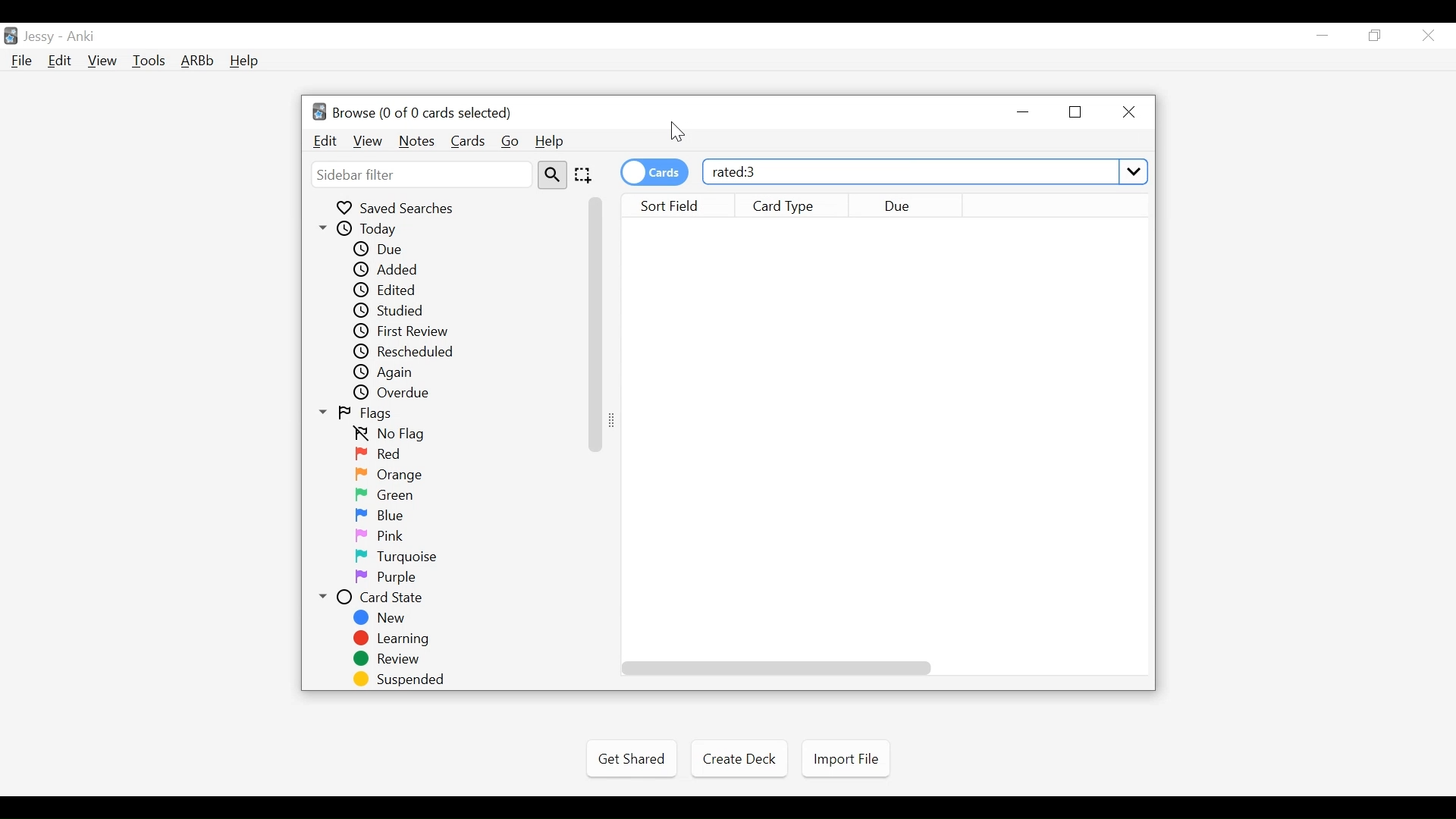 This screenshot has width=1456, height=819. Describe the element at coordinates (585, 176) in the screenshot. I see `Selection Tool` at that location.